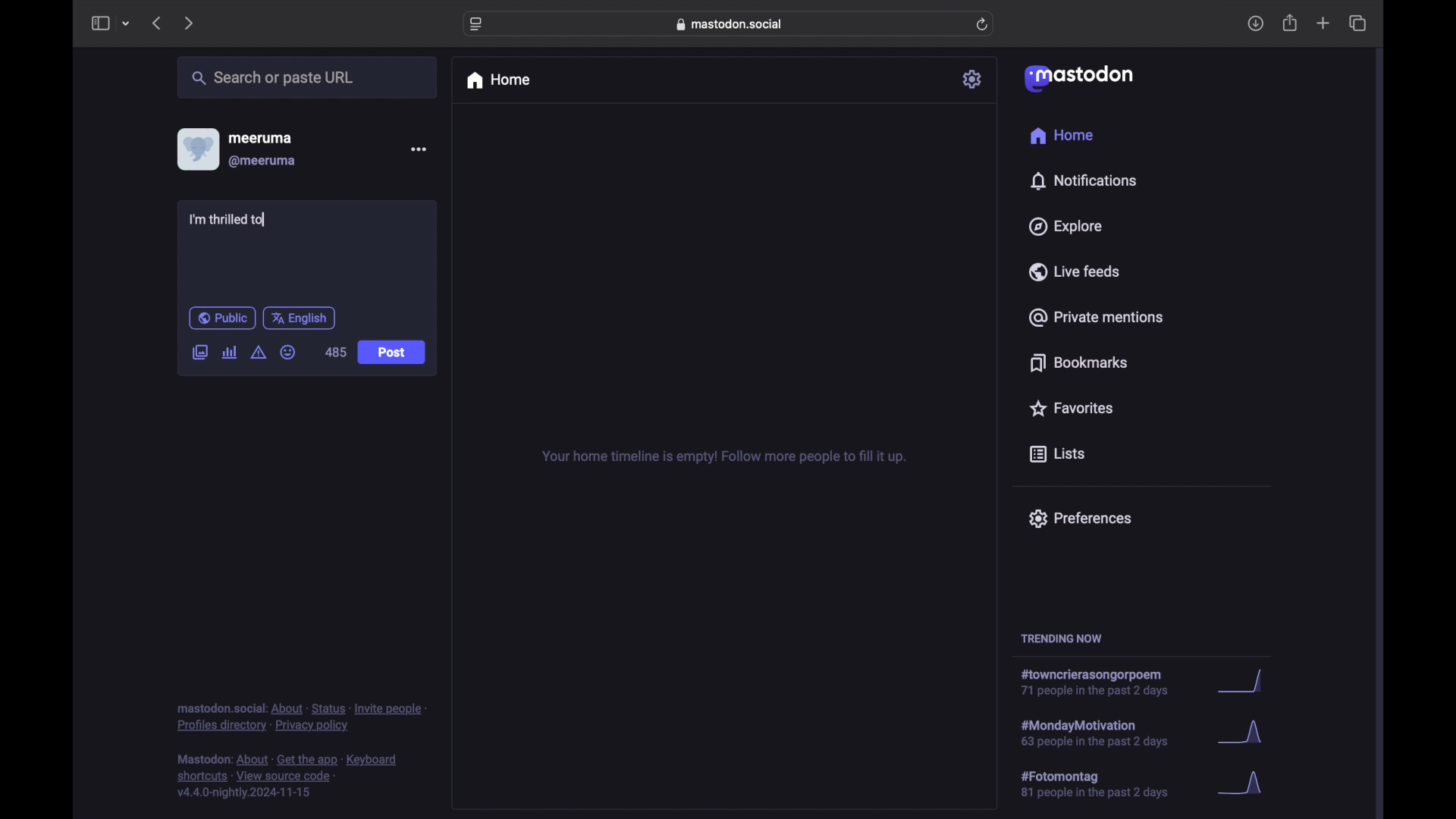 The width and height of the screenshot is (1456, 819). Describe the element at coordinates (299, 319) in the screenshot. I see `english` at that location.